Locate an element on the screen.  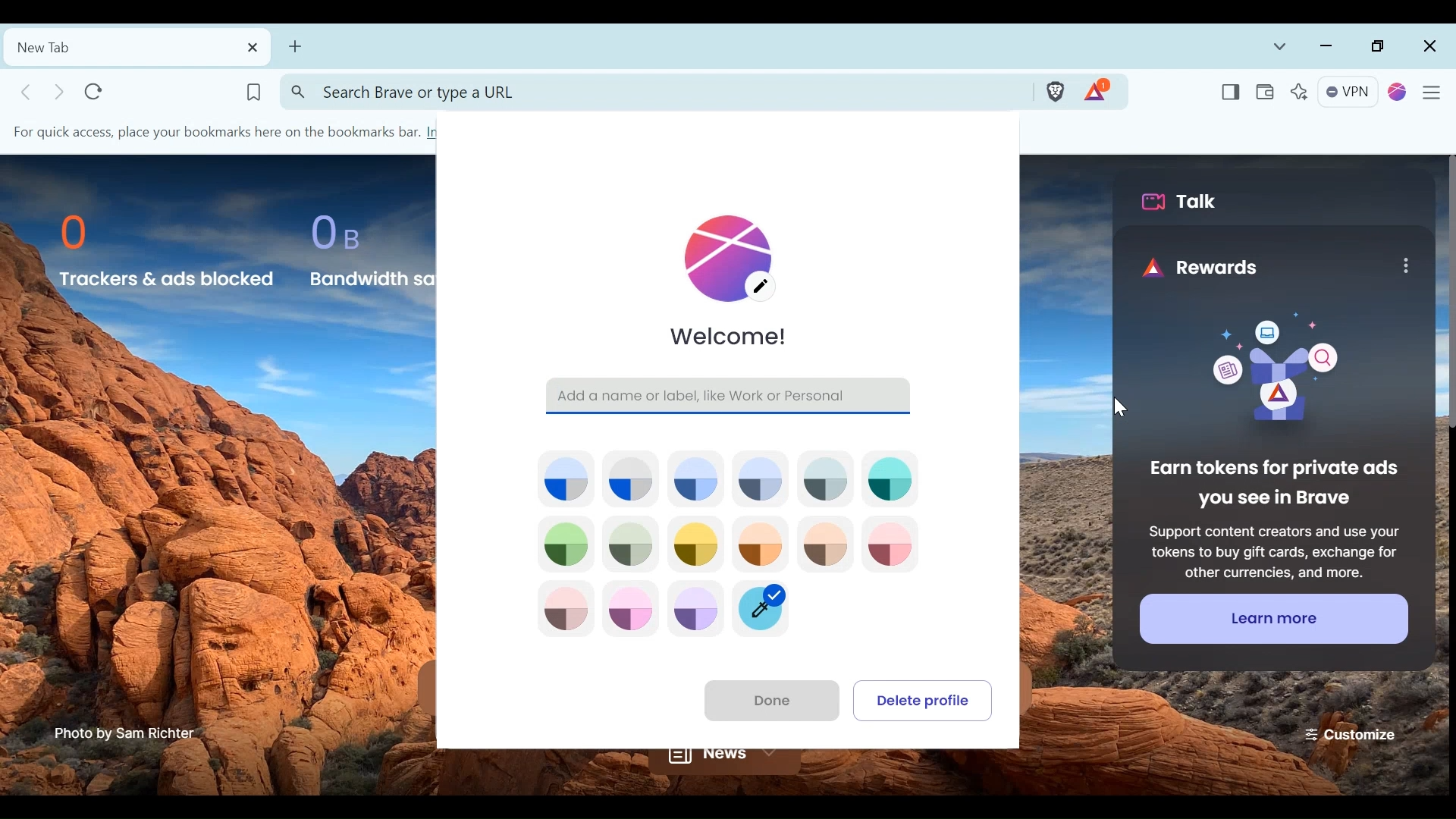
Theme is located at coordinates (697, 479).